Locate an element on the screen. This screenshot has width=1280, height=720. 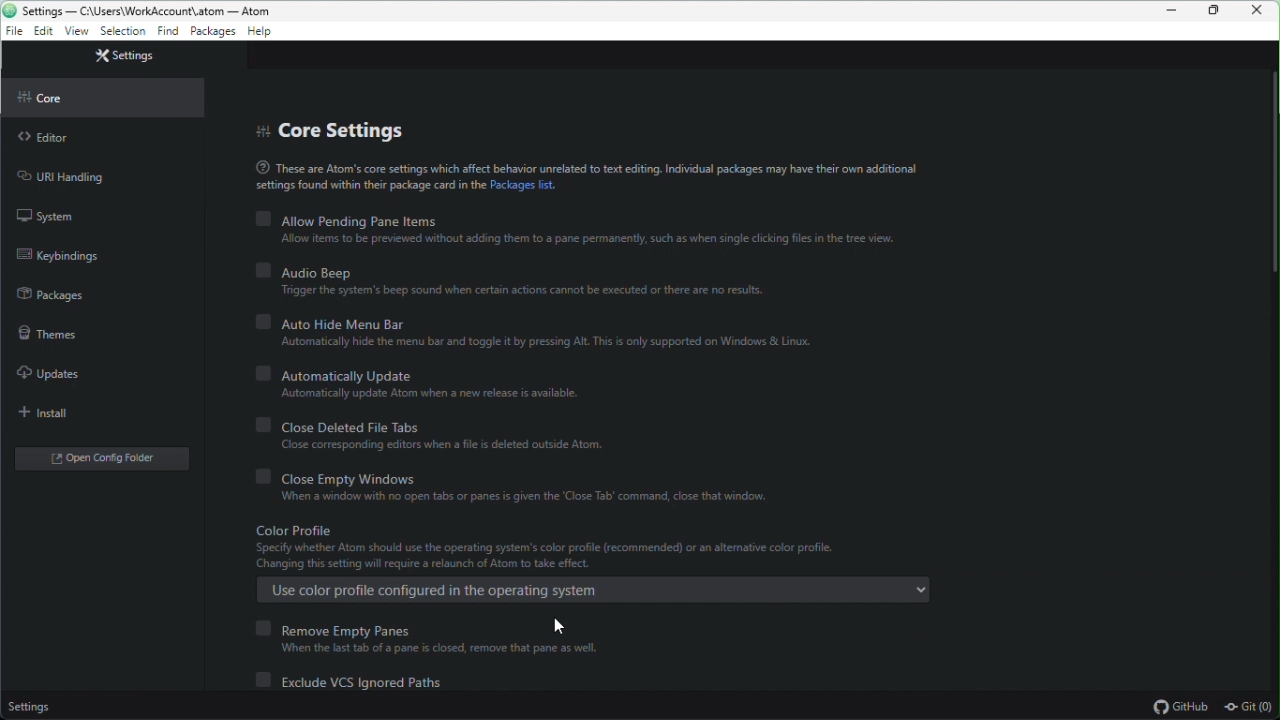
Audio beep is located at coordinates (511, 283).